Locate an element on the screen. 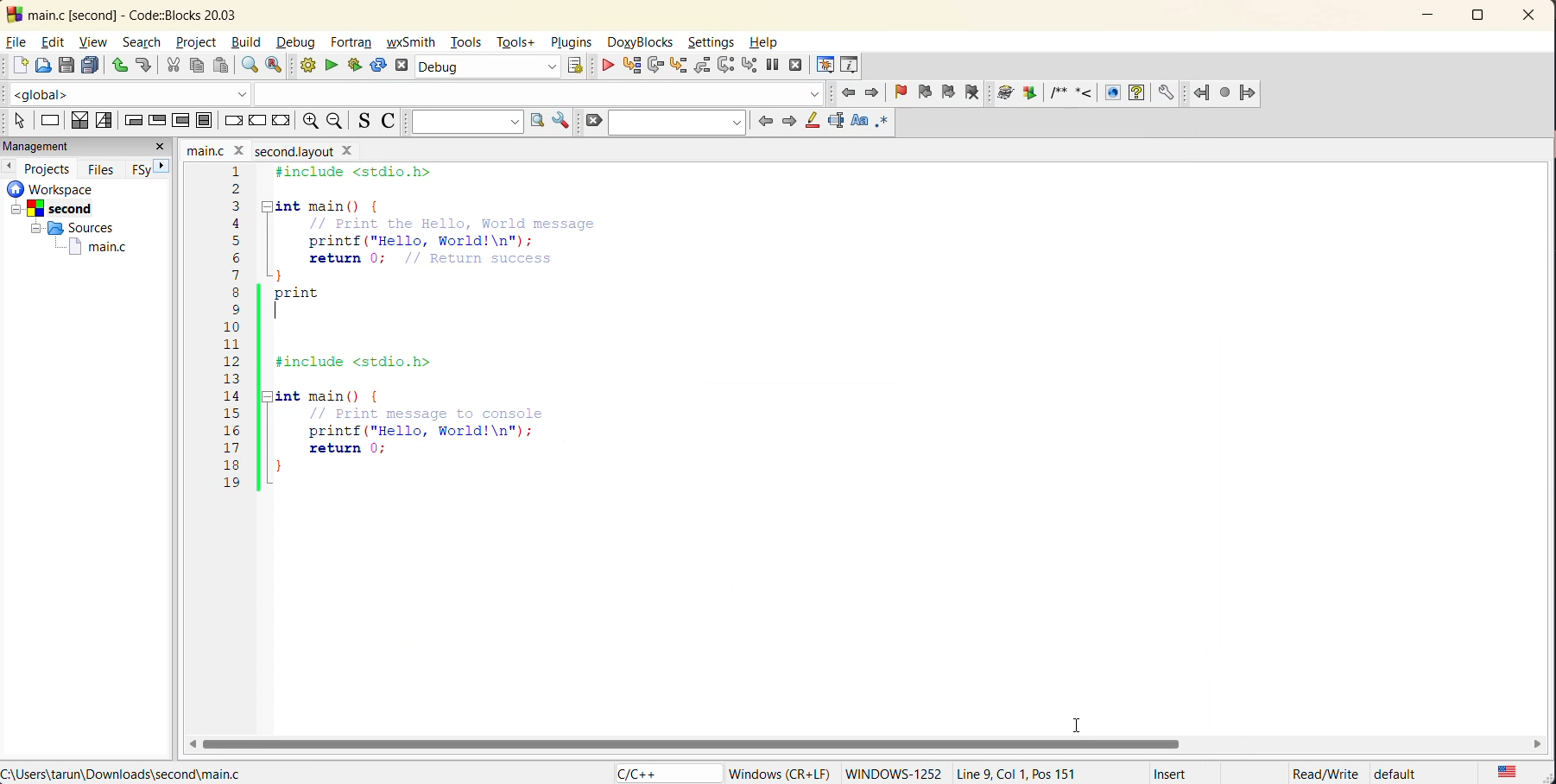 Image resolution: width=1556 pixels, height=784 pixels. selected text is located at coordinates (838, 121).